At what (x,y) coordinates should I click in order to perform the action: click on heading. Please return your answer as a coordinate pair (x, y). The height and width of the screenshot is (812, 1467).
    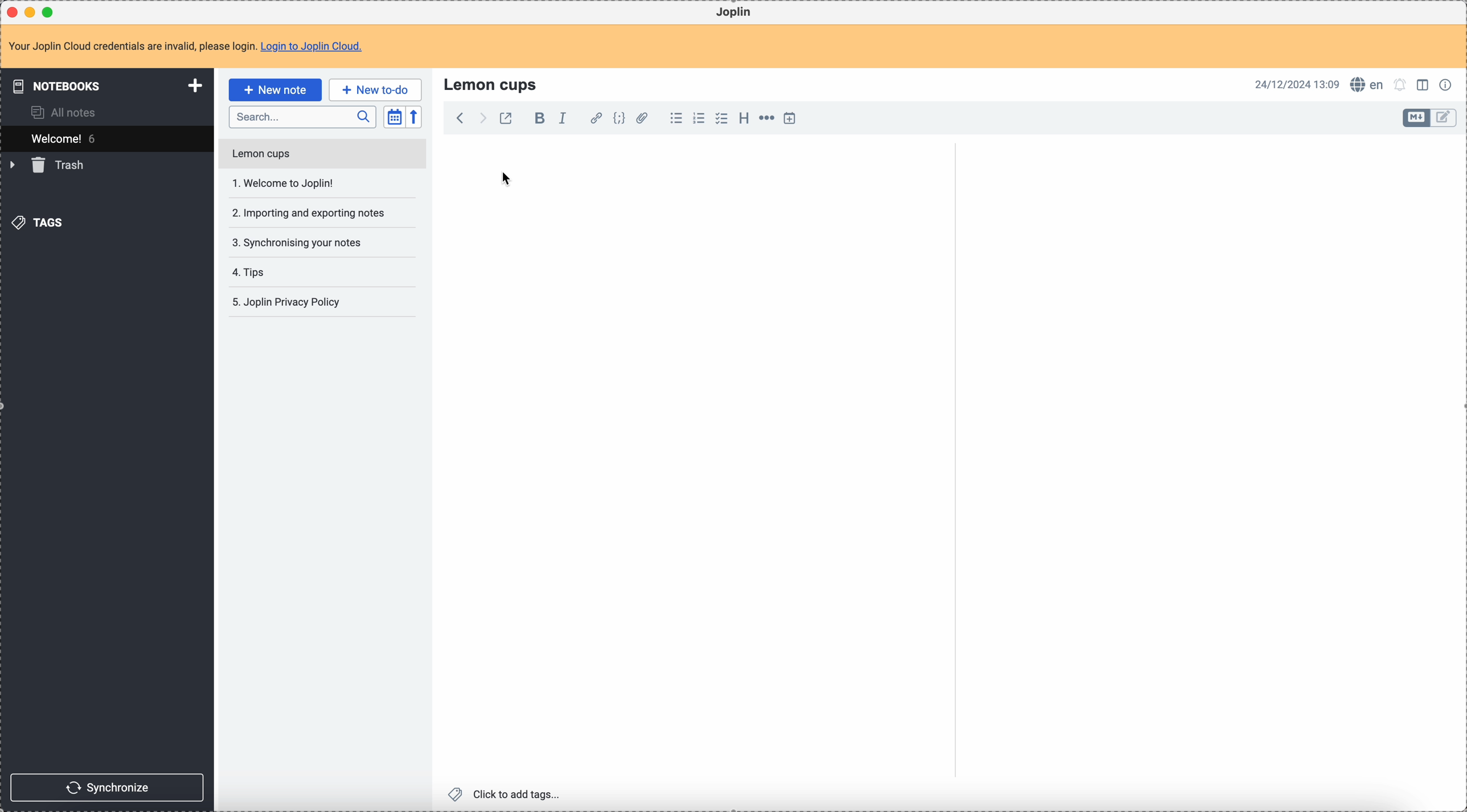
    Looking at the image, I should click on (744, 117).